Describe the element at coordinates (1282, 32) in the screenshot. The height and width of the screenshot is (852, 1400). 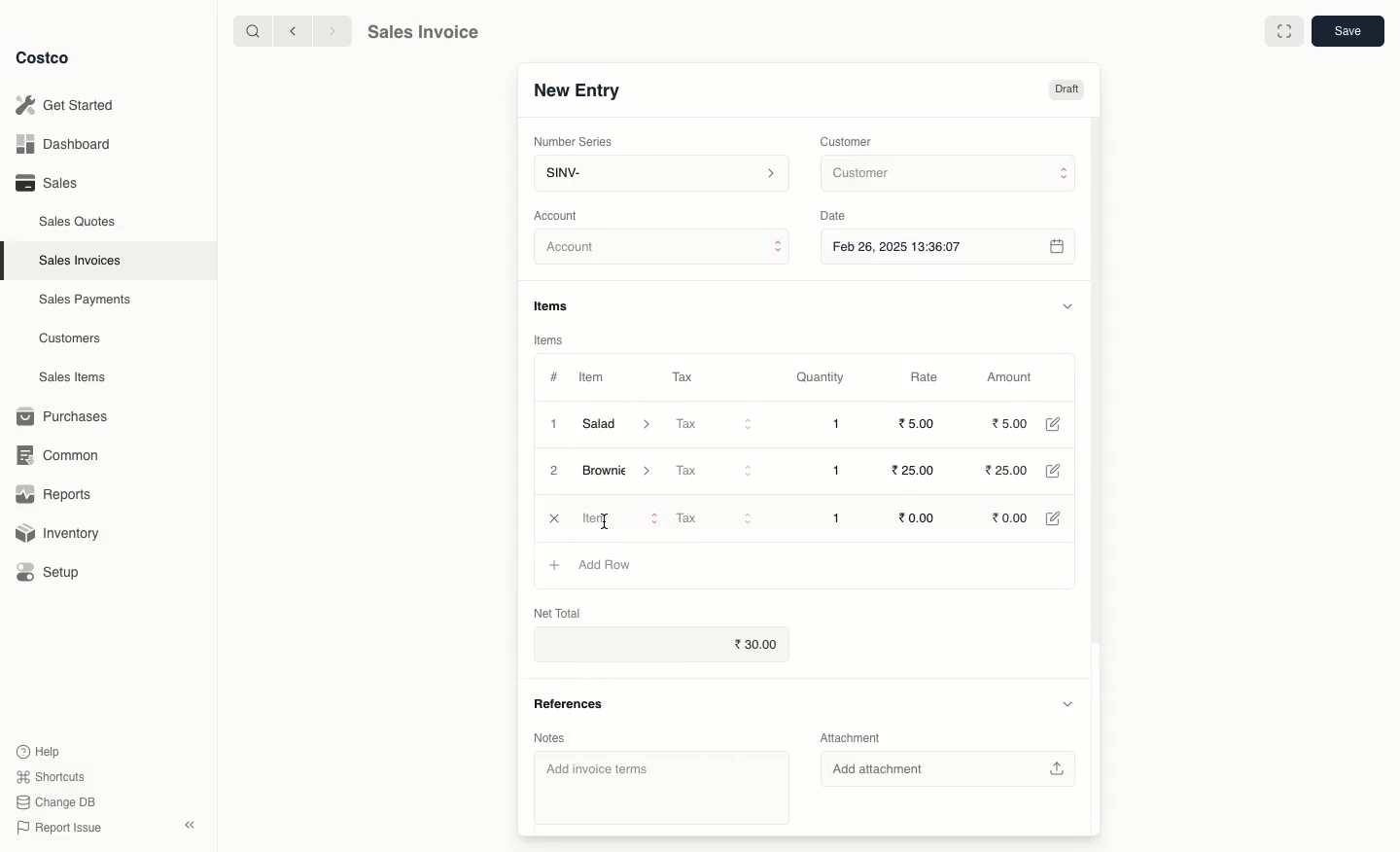
I see `Full width toggle` at that location.